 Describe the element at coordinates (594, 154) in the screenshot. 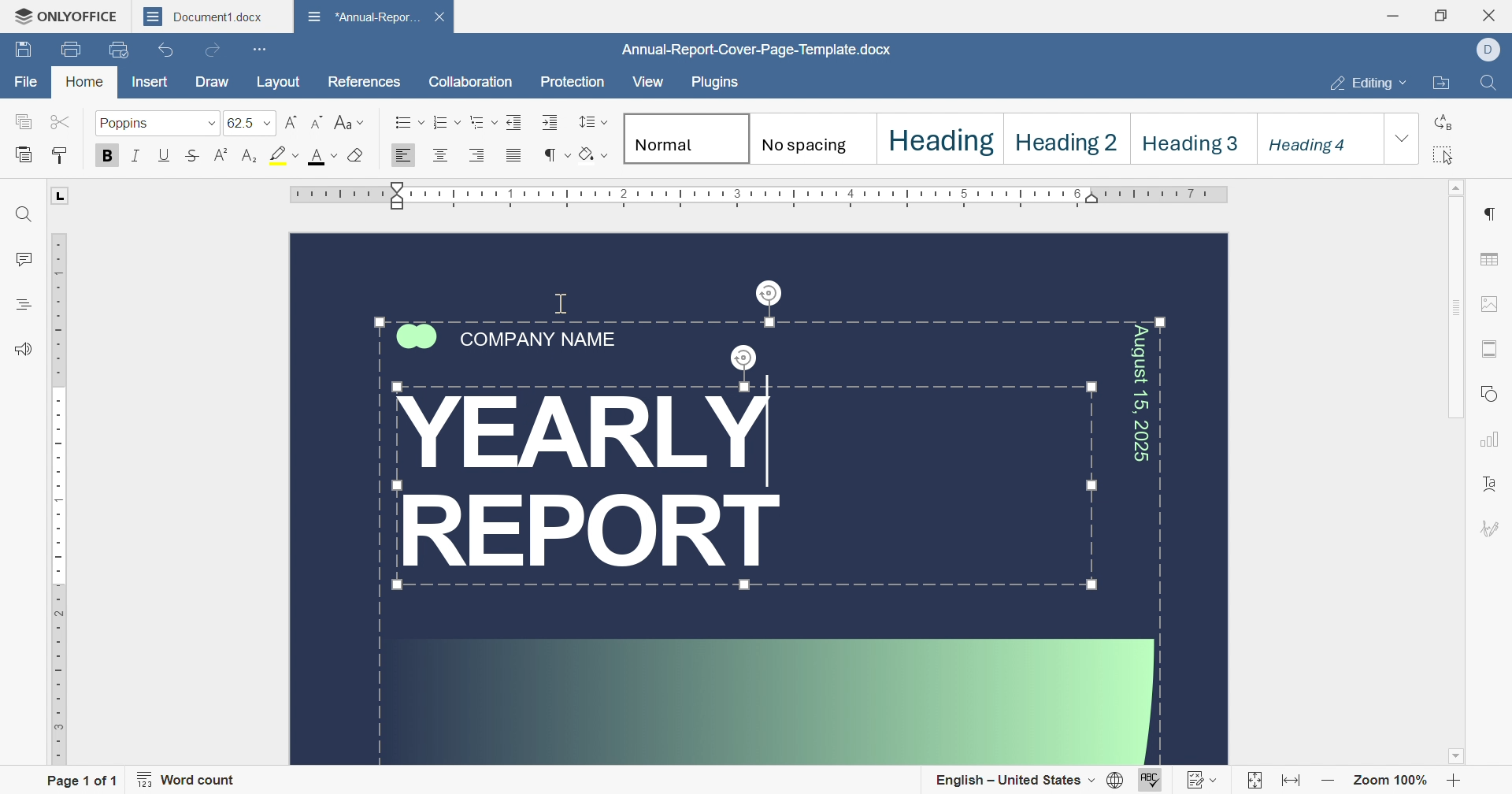

I see `shading` at that location.